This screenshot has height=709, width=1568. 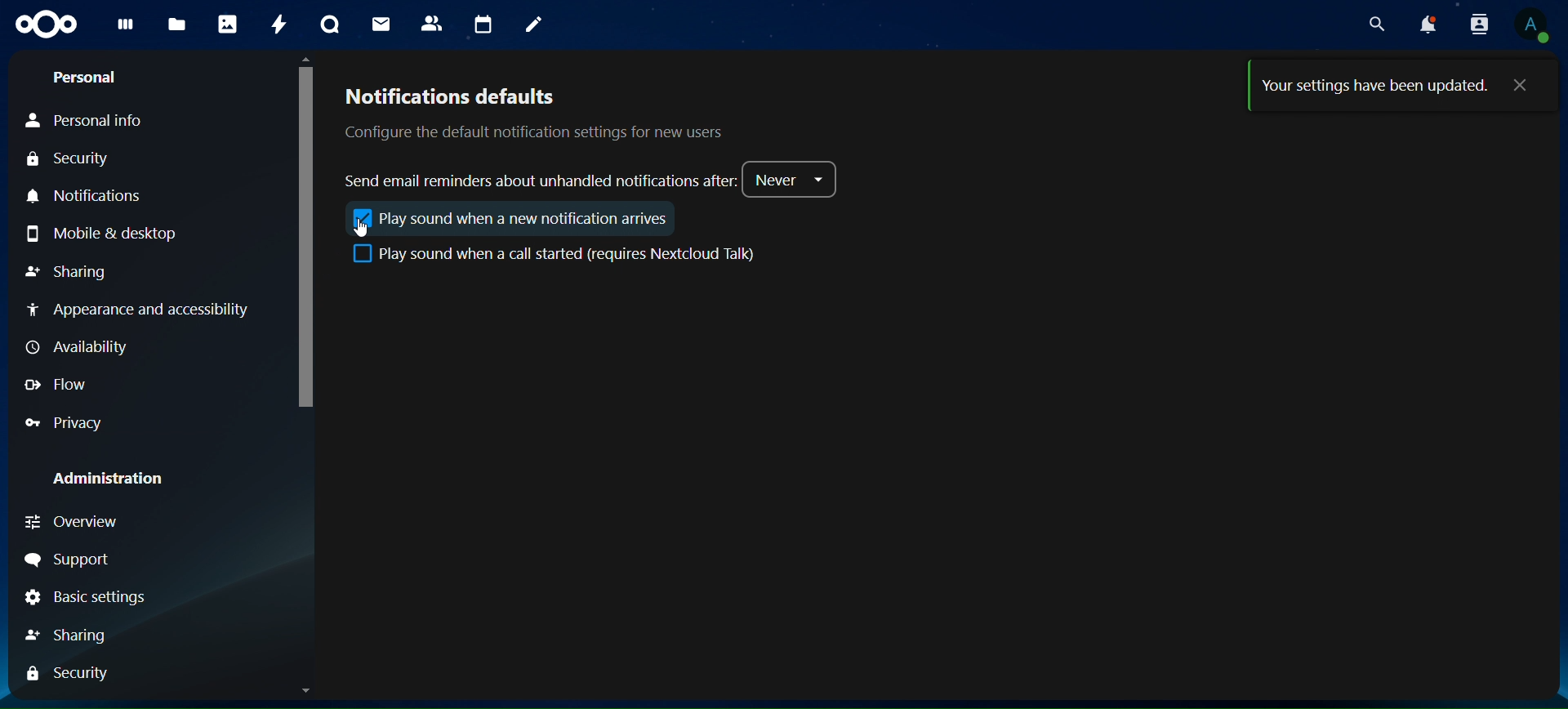 What do you see at coordinates (67, 424) in the screenshot?
I see `Privacy` at bounding box center [67, 424].